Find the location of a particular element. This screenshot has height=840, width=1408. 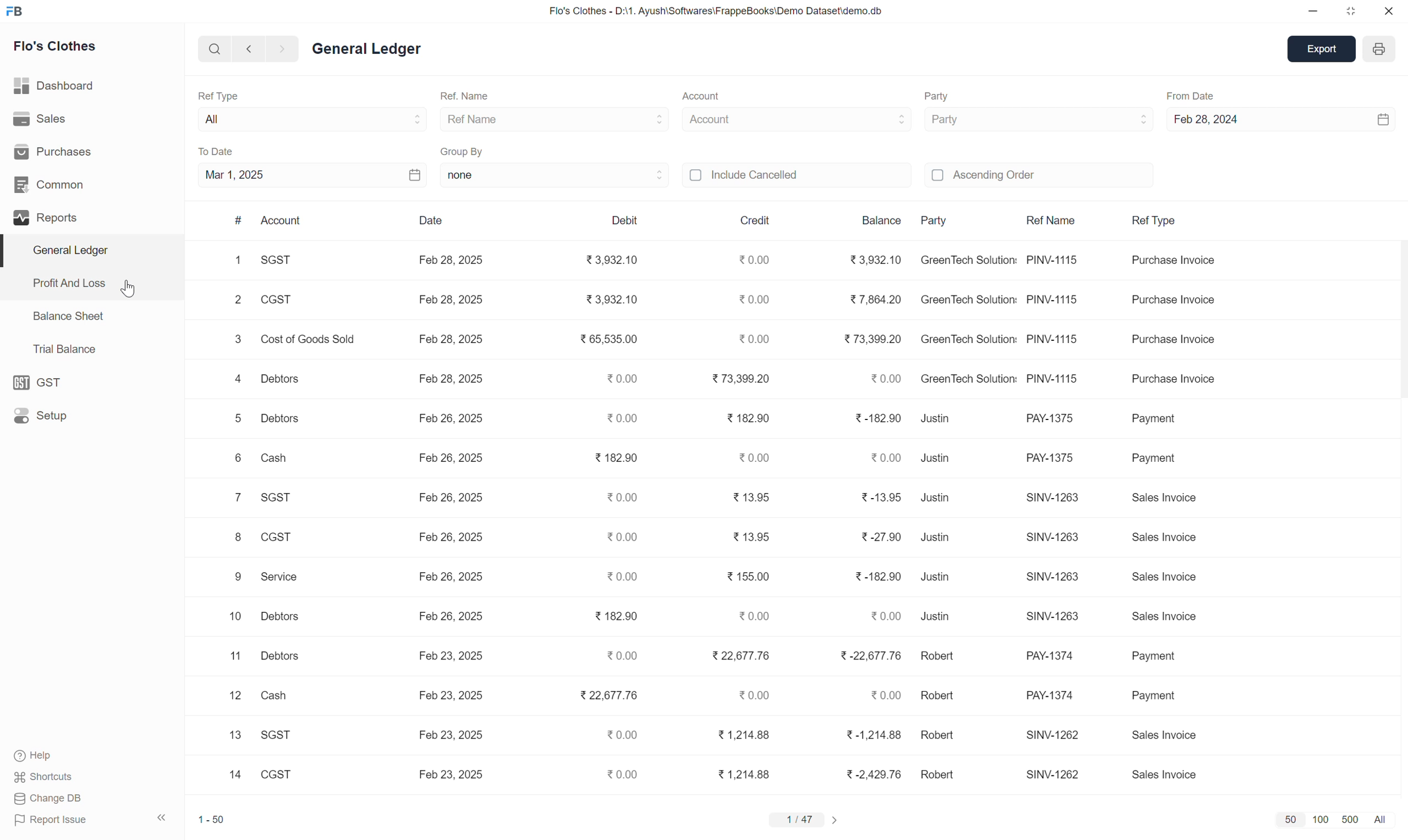

Balance is located at coordinates (885, 224).